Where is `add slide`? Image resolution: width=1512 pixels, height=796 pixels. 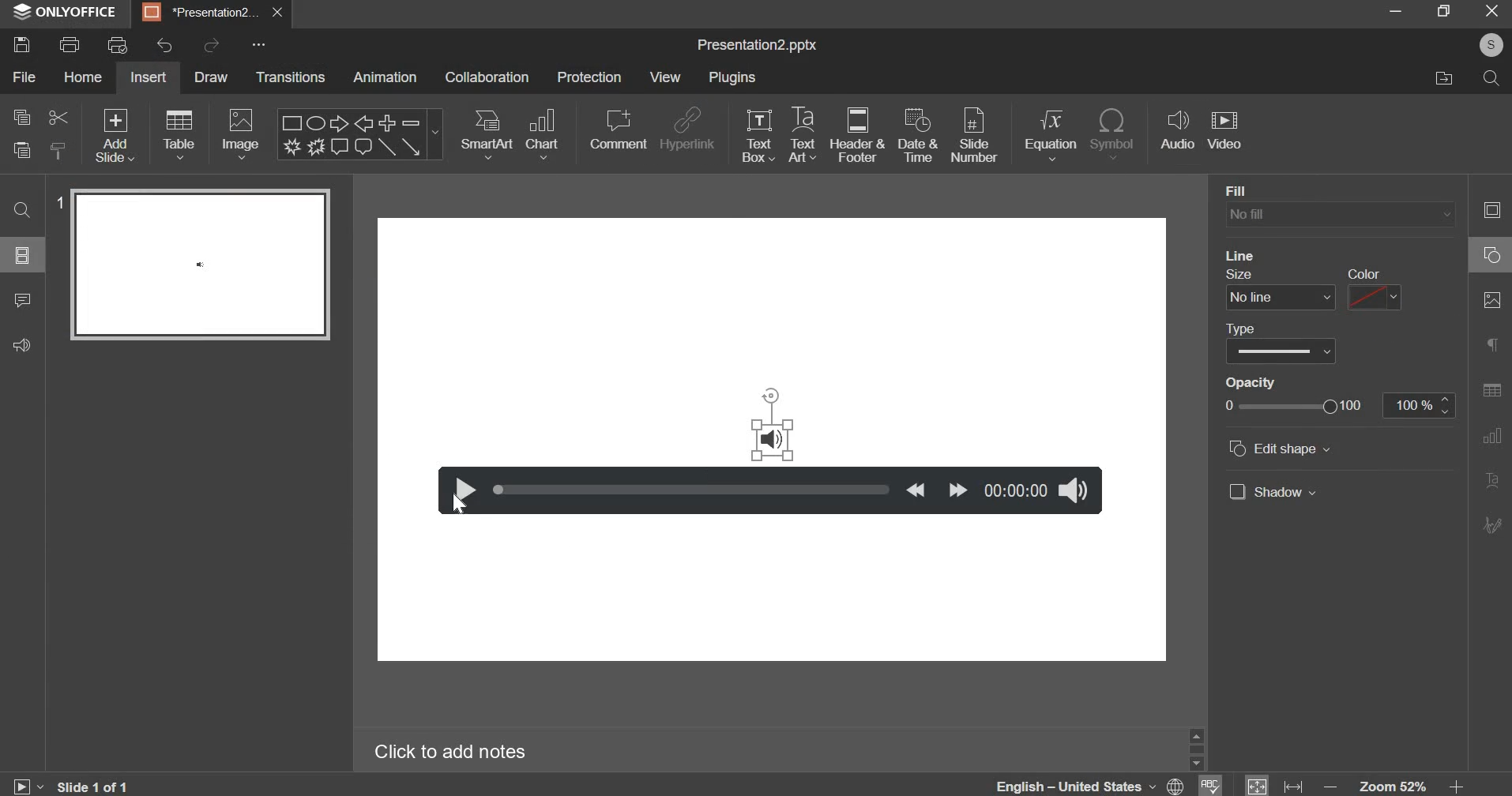 add slide is located at coordinates (116, 137).